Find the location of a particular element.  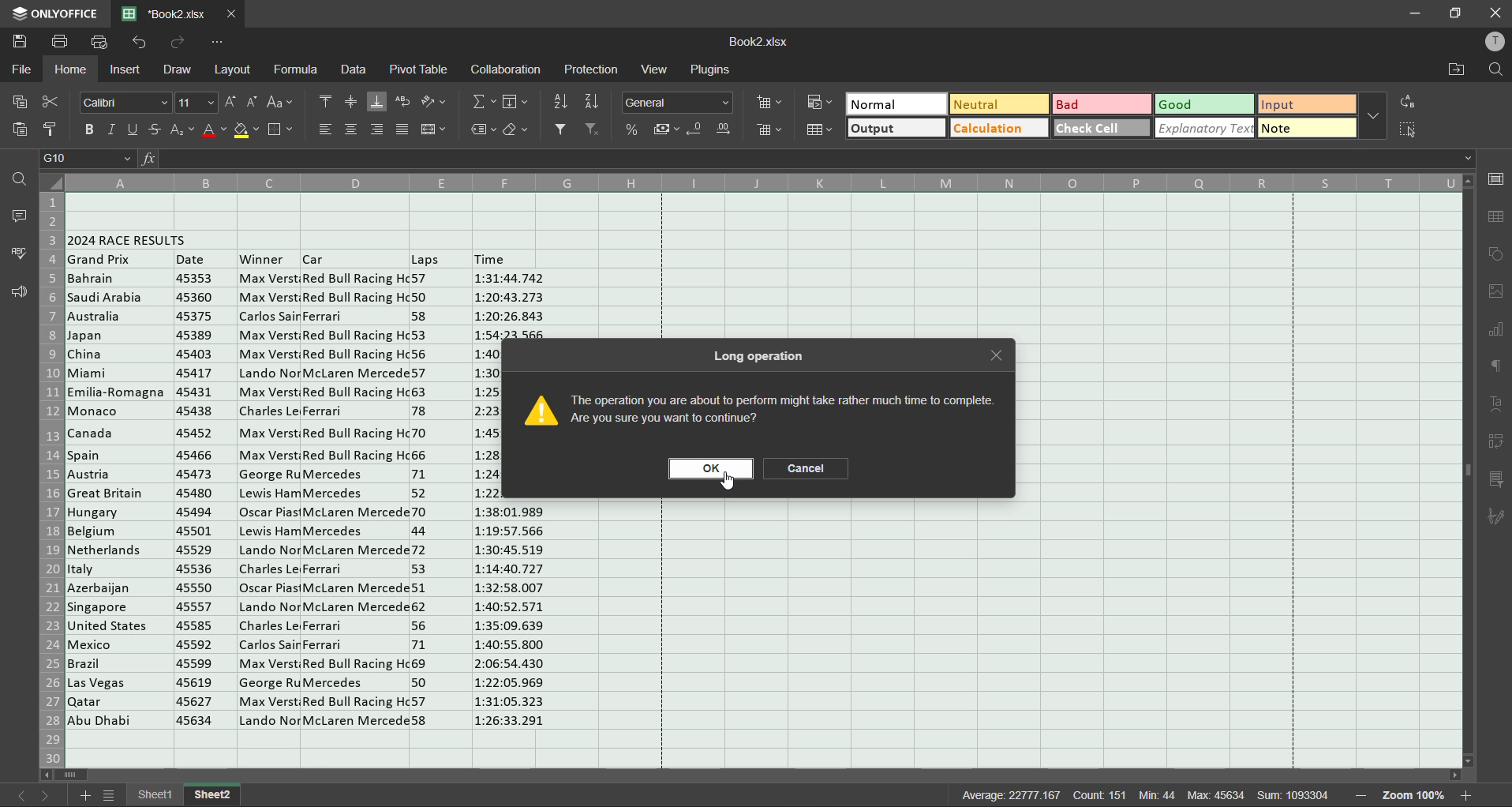

date is located at coordinates (203, 497).